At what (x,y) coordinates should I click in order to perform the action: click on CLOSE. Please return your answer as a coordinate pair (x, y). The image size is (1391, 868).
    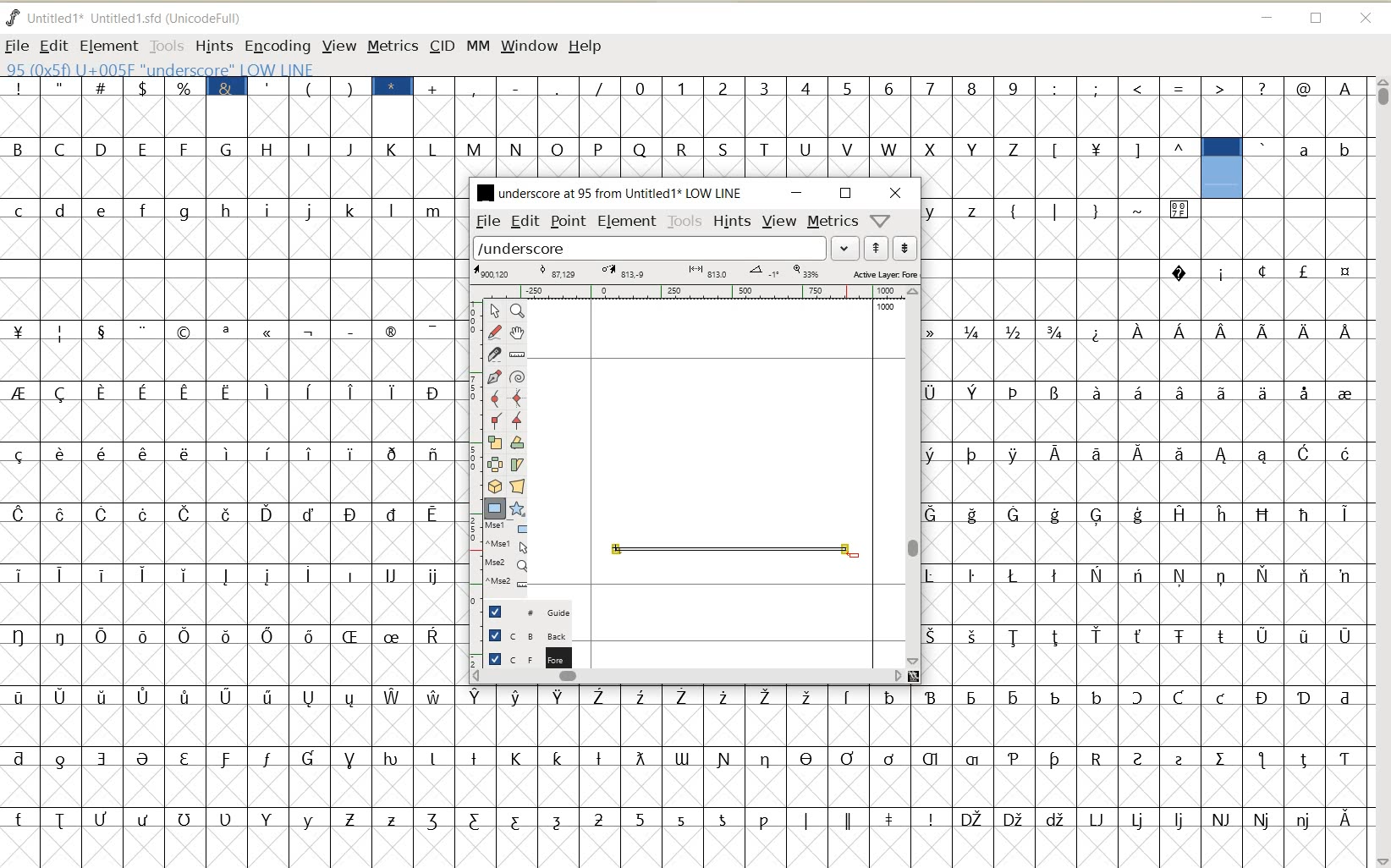
    Looking at the image, I should click on (1367, 19).